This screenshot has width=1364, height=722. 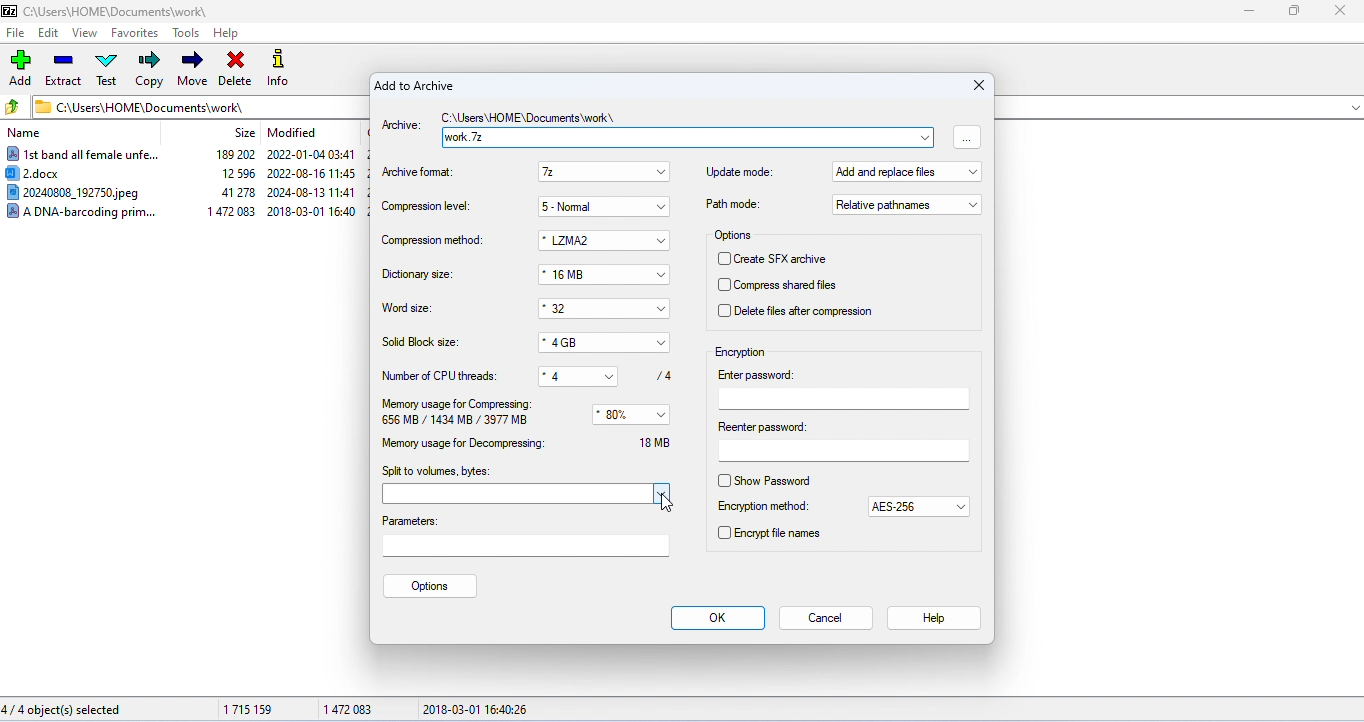 What do you see at coordinates (422, 173) in the screenshot?
I see `archive format` at bounding box center [422, 173].